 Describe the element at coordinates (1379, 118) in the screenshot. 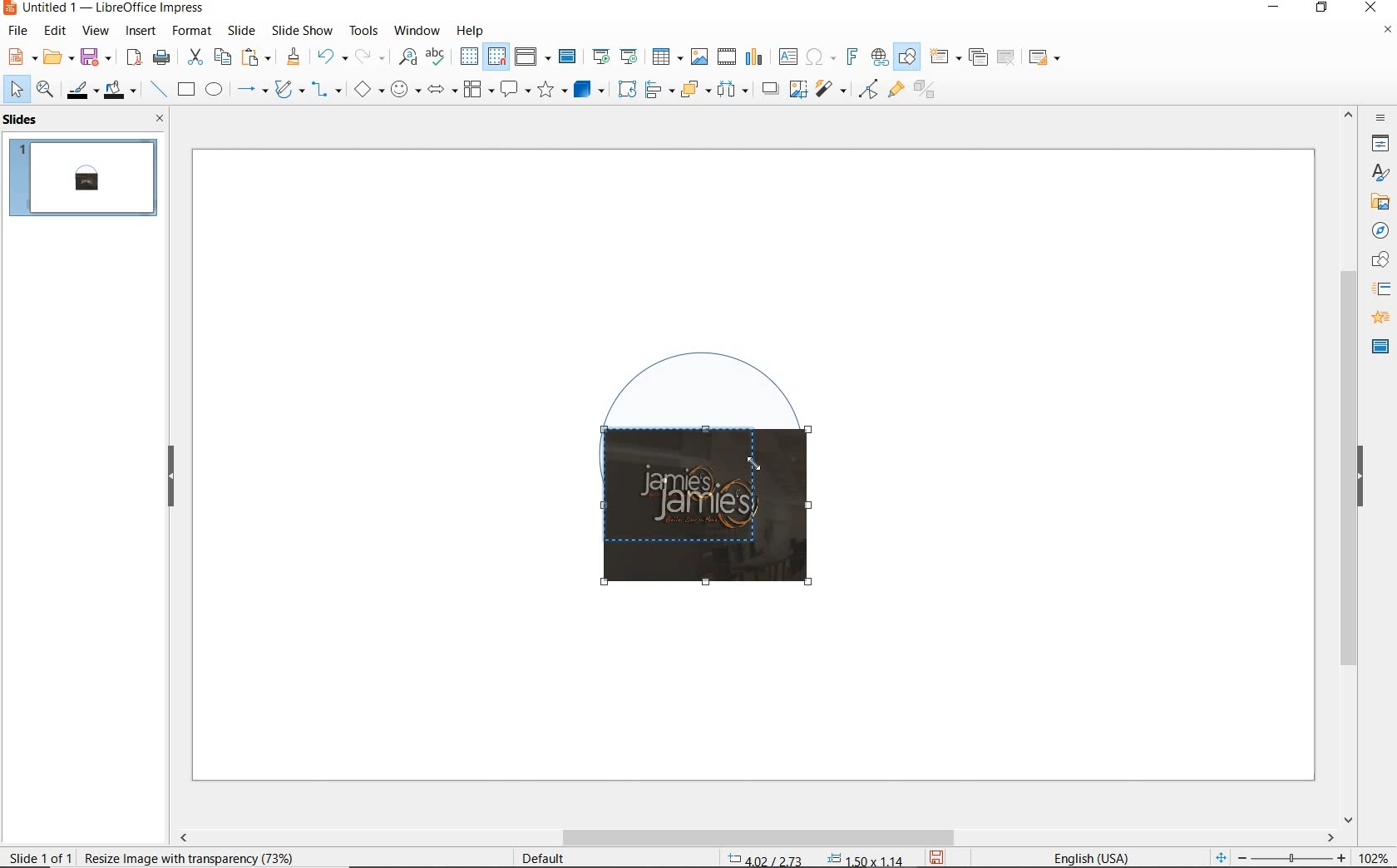

I see `sidebar settings` at that location.